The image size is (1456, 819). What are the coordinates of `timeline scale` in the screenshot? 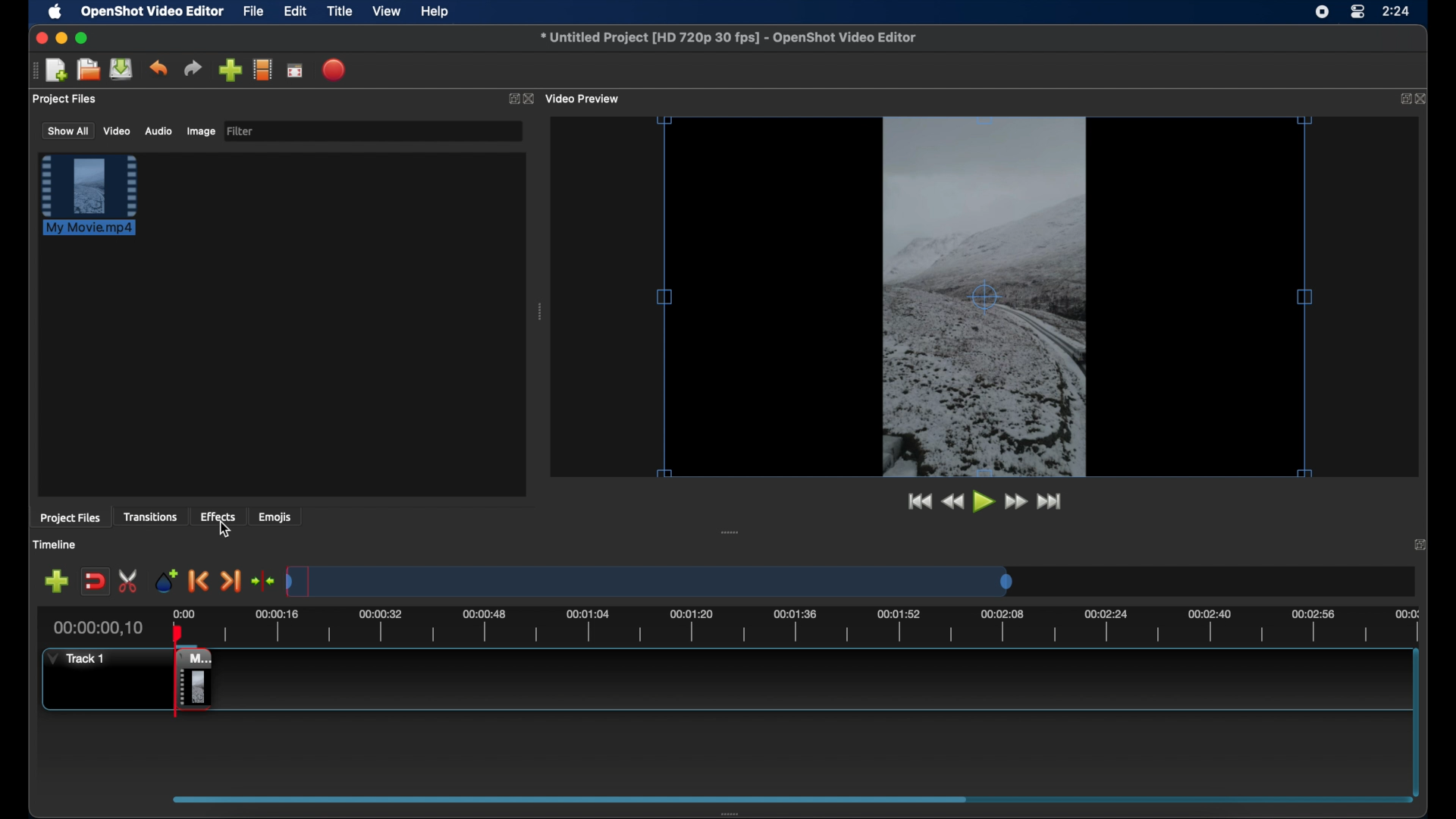 It's located at (649, 580).